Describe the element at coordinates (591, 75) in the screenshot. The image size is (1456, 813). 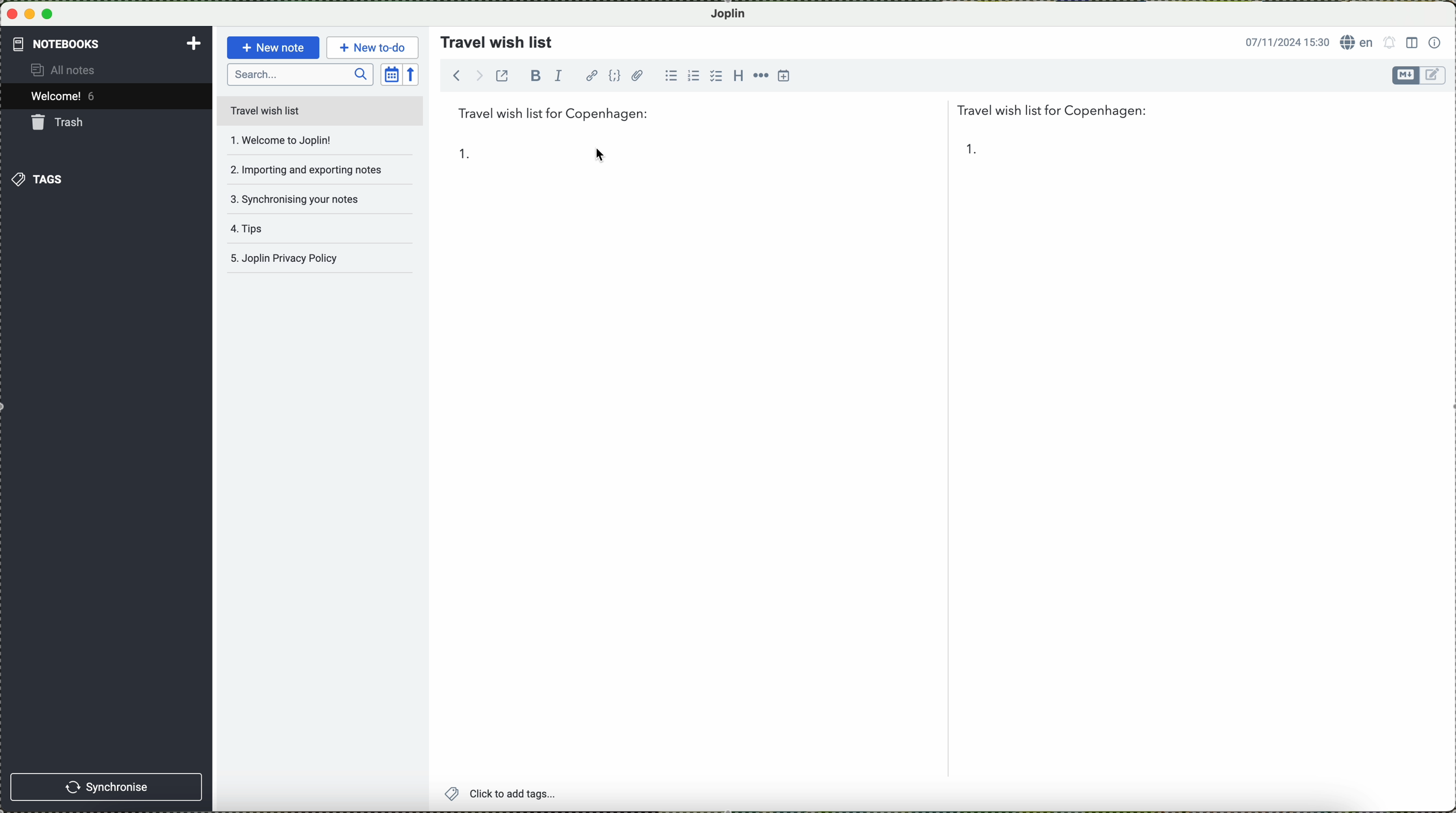
I see `hyperlink` at that location.